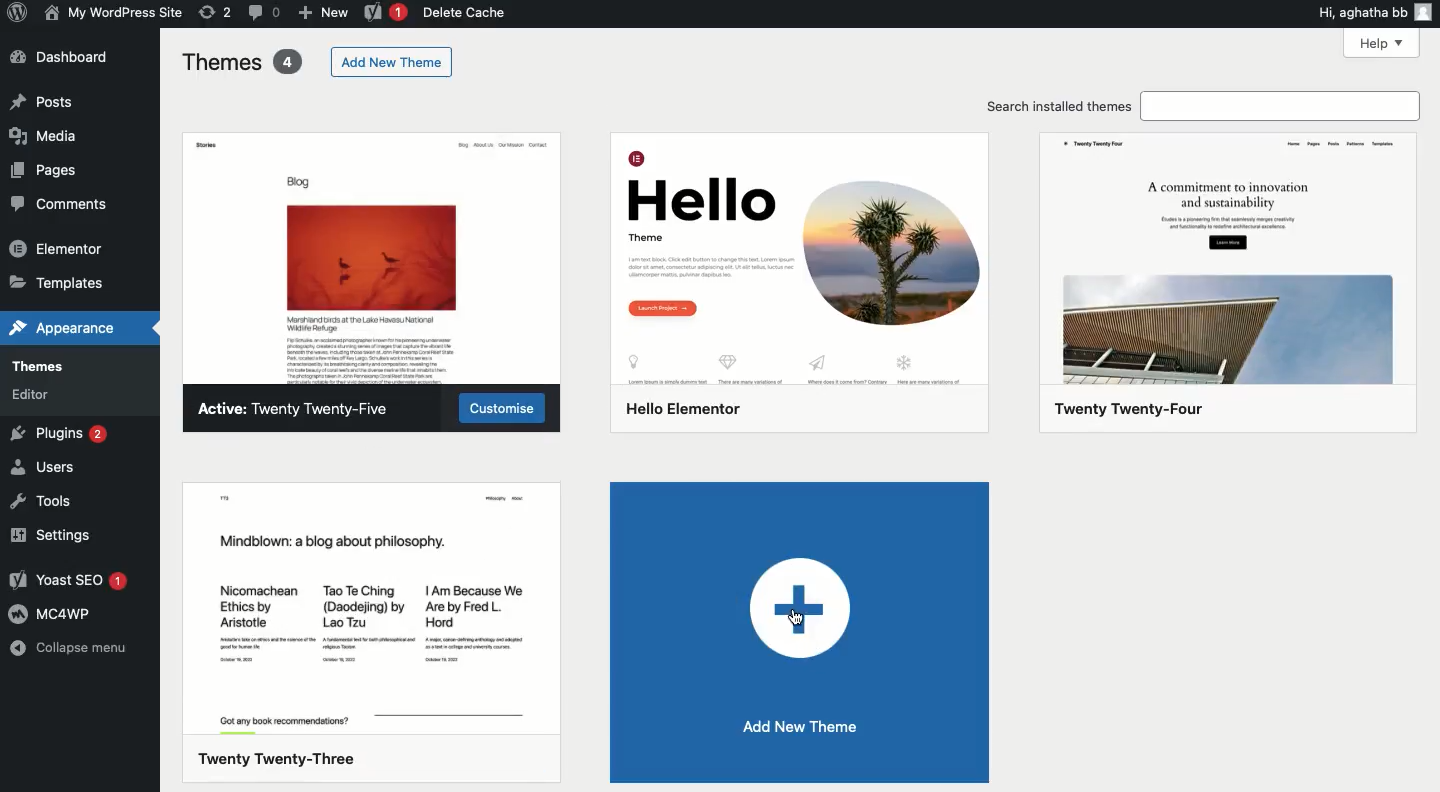 Image resolution: width=1440 pixels, height=792 pixels. Describe the element at coordinates (802, 620) in the screenshot. I see `cursor` at that location.